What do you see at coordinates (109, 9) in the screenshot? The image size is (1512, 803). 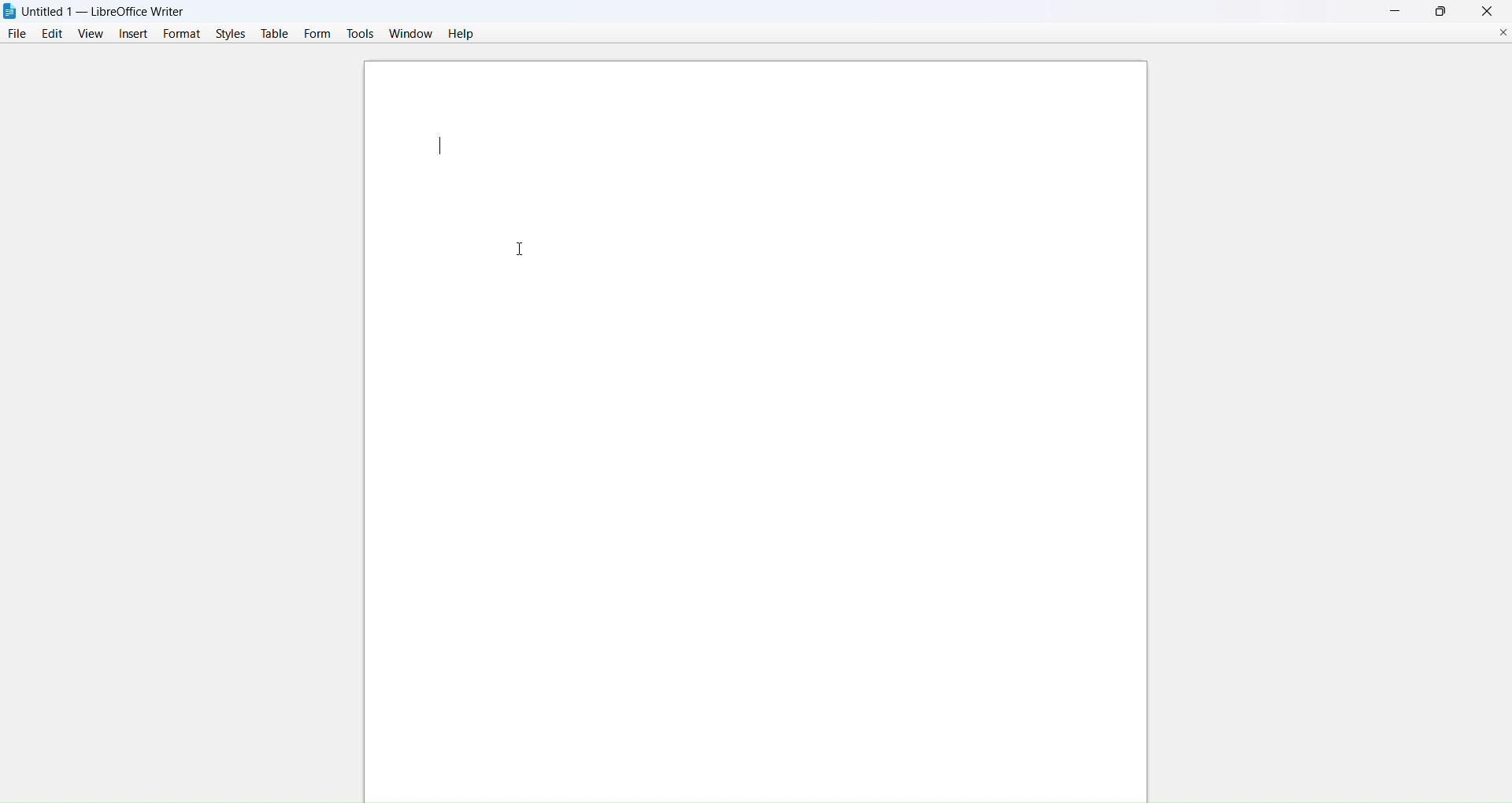 I see `Untitled 1 — LibreOffice Writer` at bounding box center [109, 9].